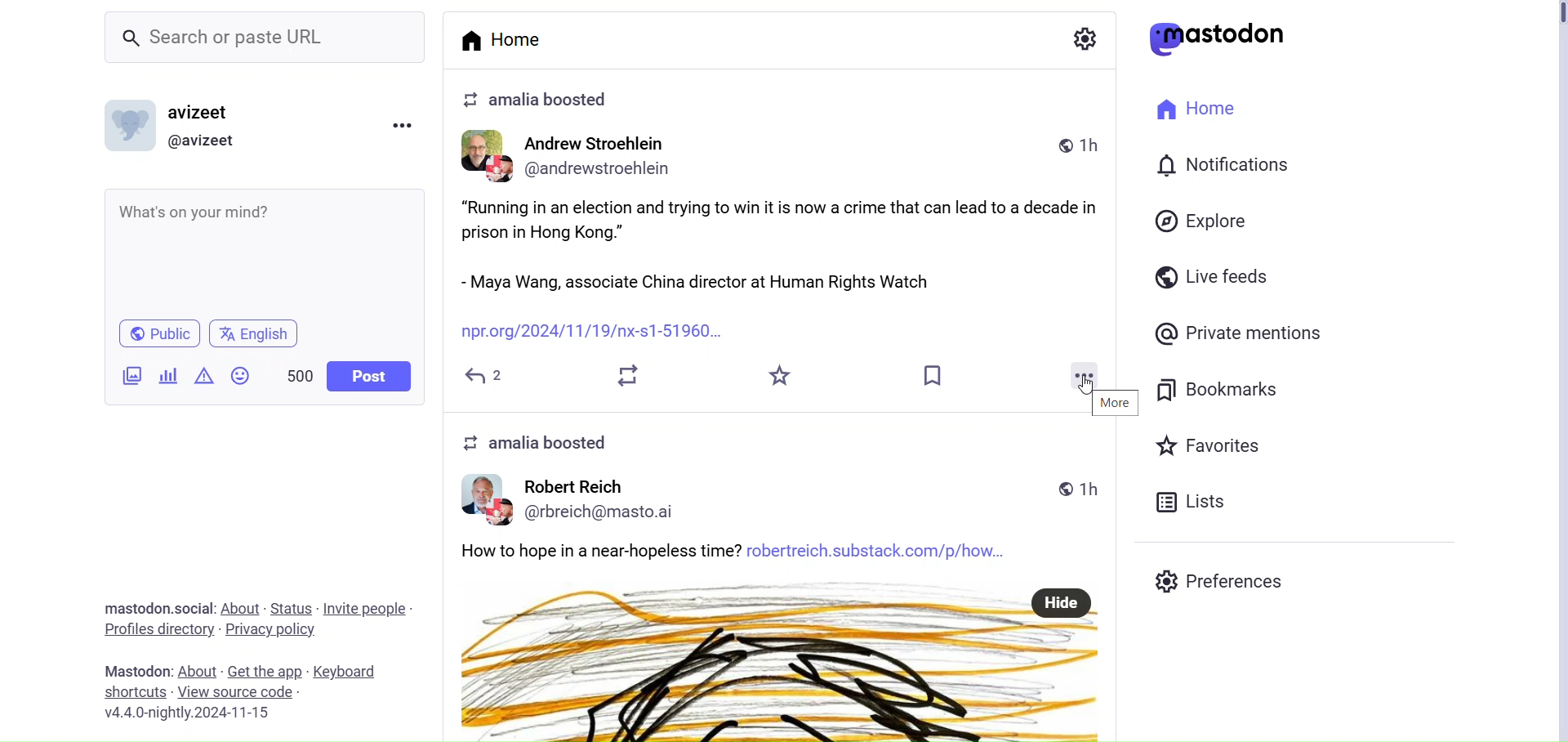 This screenshot has height=742, width=1568. What do you see at coordinates (198, 670) in the screenshot?
I see `About` at bounding box center [198, 670].